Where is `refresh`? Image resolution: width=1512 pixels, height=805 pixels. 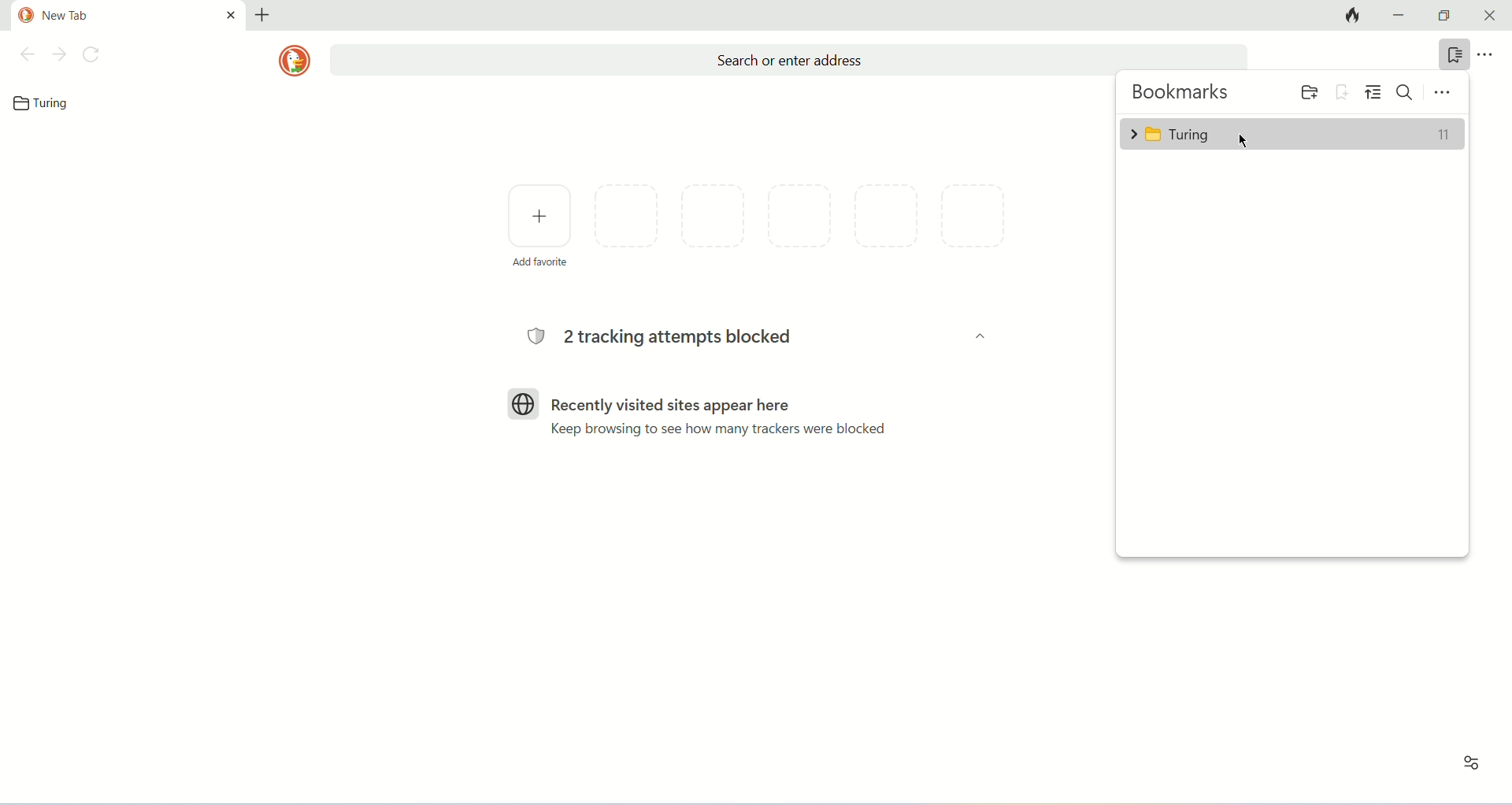 refresh is located at coordinates (93, 54).